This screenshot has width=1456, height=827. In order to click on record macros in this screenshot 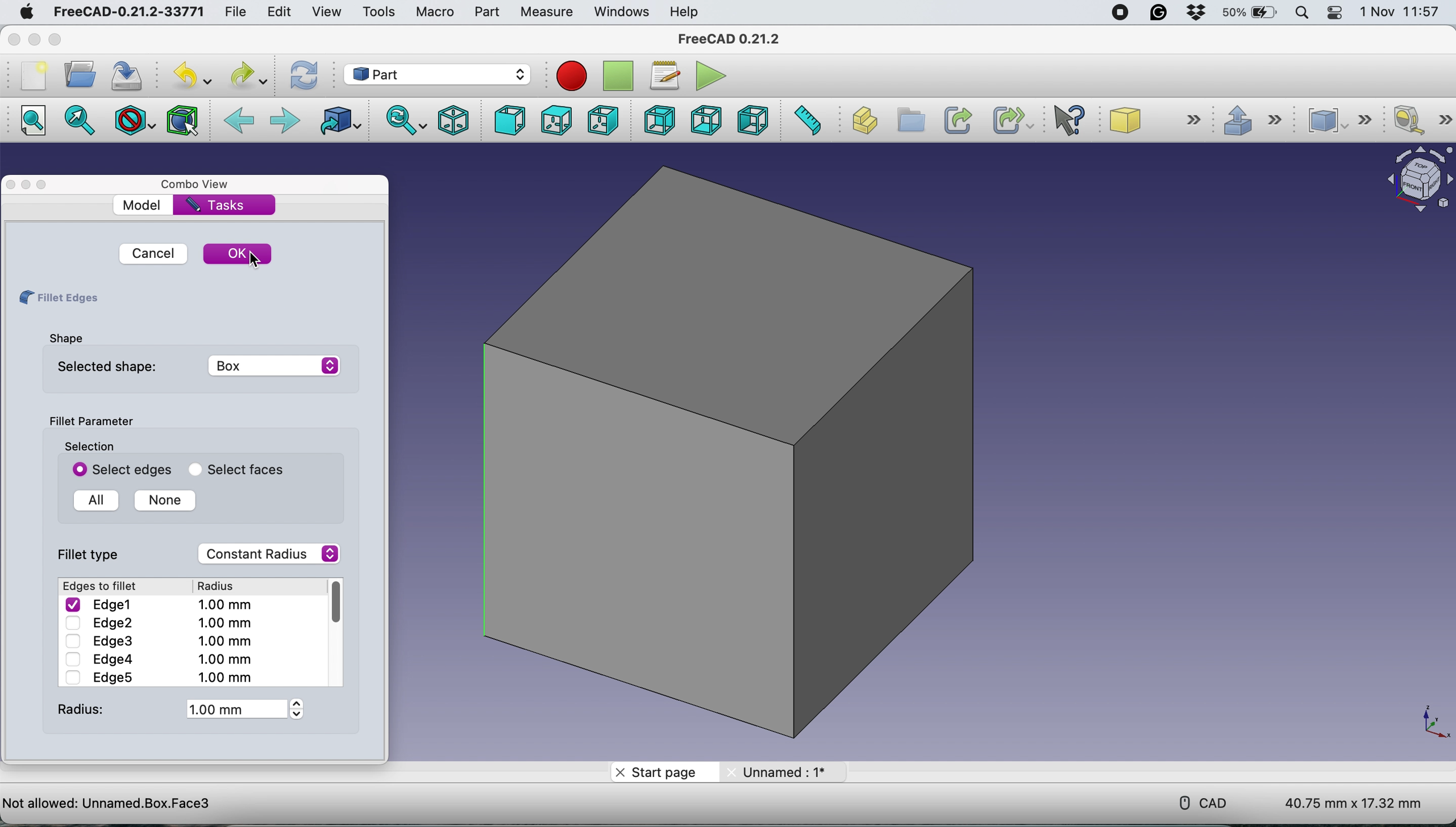, I will do `click(575, 76)`.